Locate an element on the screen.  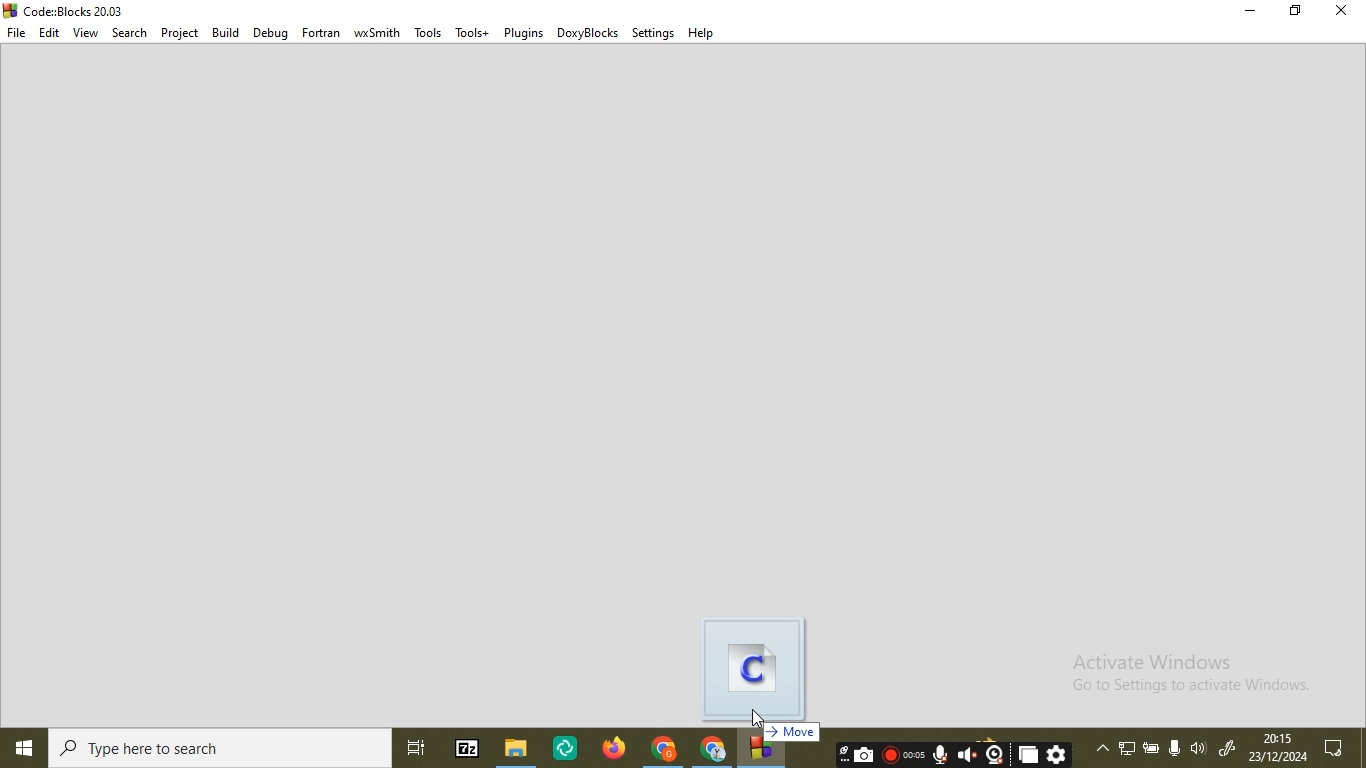
wxSmith is located at coordinates (379, 33).